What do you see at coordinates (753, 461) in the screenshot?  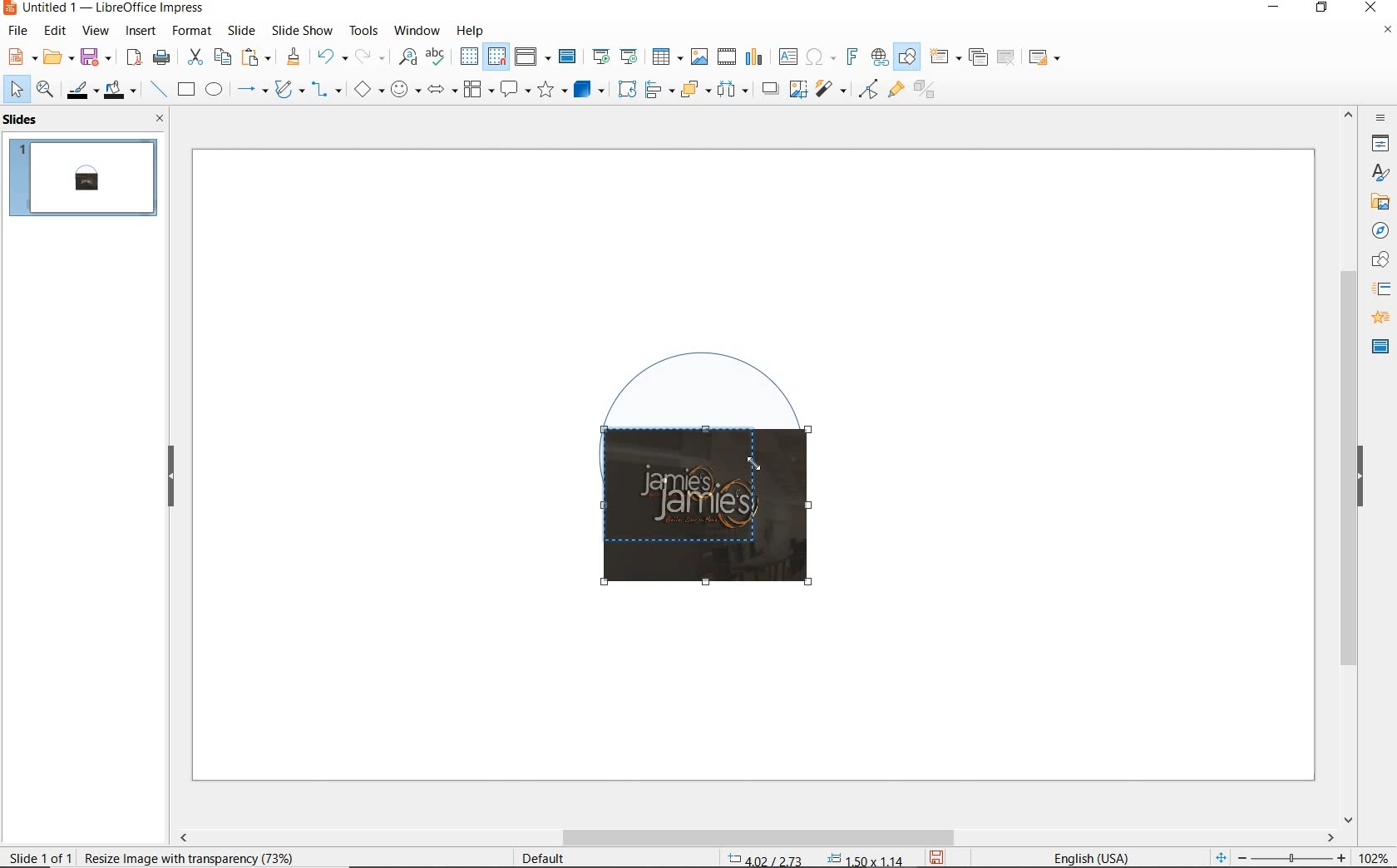 I see `Cursor` at bounding box center [753, 461].